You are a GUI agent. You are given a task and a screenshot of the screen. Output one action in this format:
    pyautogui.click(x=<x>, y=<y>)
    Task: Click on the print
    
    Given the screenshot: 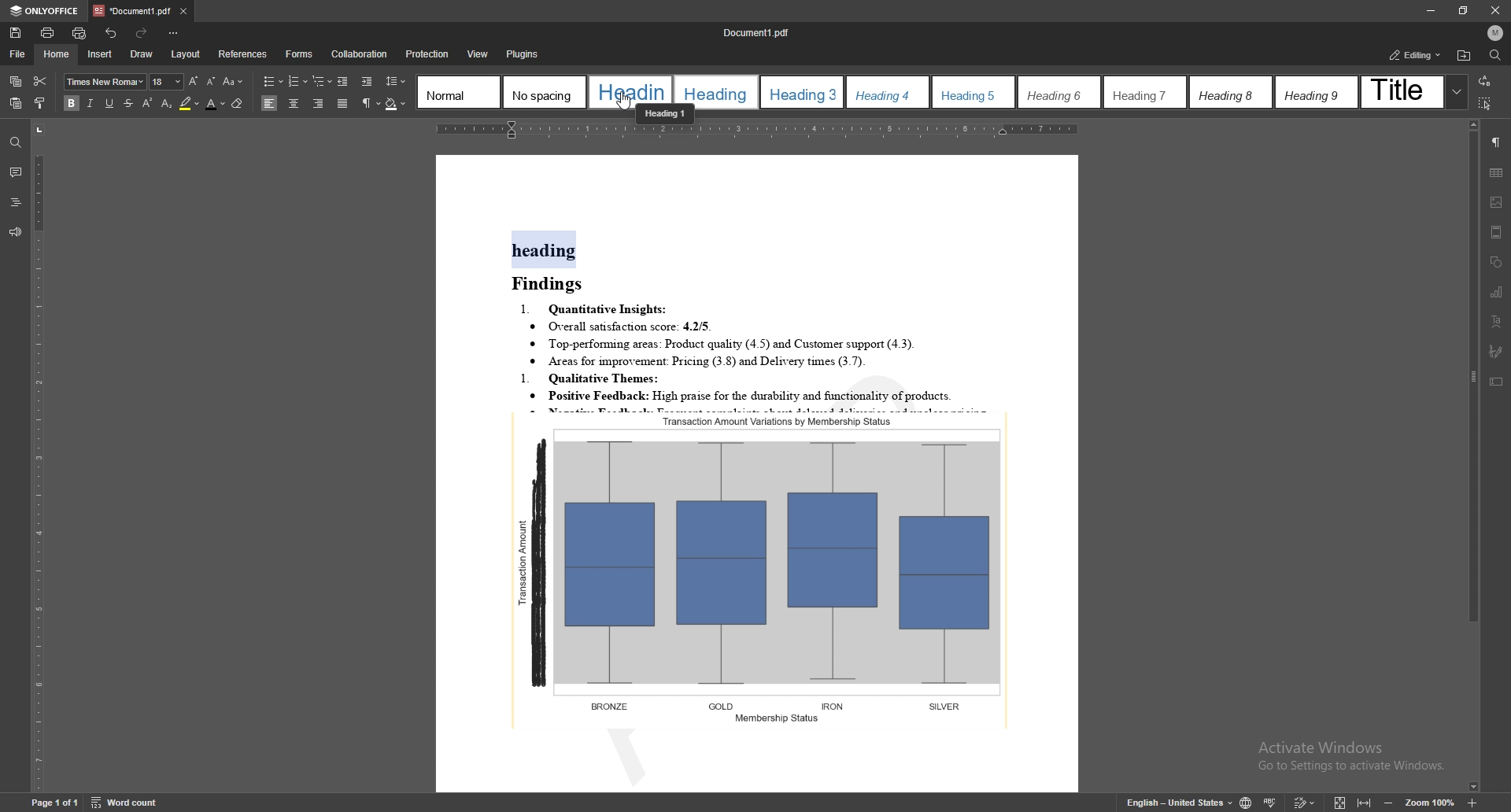 What is the action you would take?
    pyautogui.click(x=48, y=33)
    